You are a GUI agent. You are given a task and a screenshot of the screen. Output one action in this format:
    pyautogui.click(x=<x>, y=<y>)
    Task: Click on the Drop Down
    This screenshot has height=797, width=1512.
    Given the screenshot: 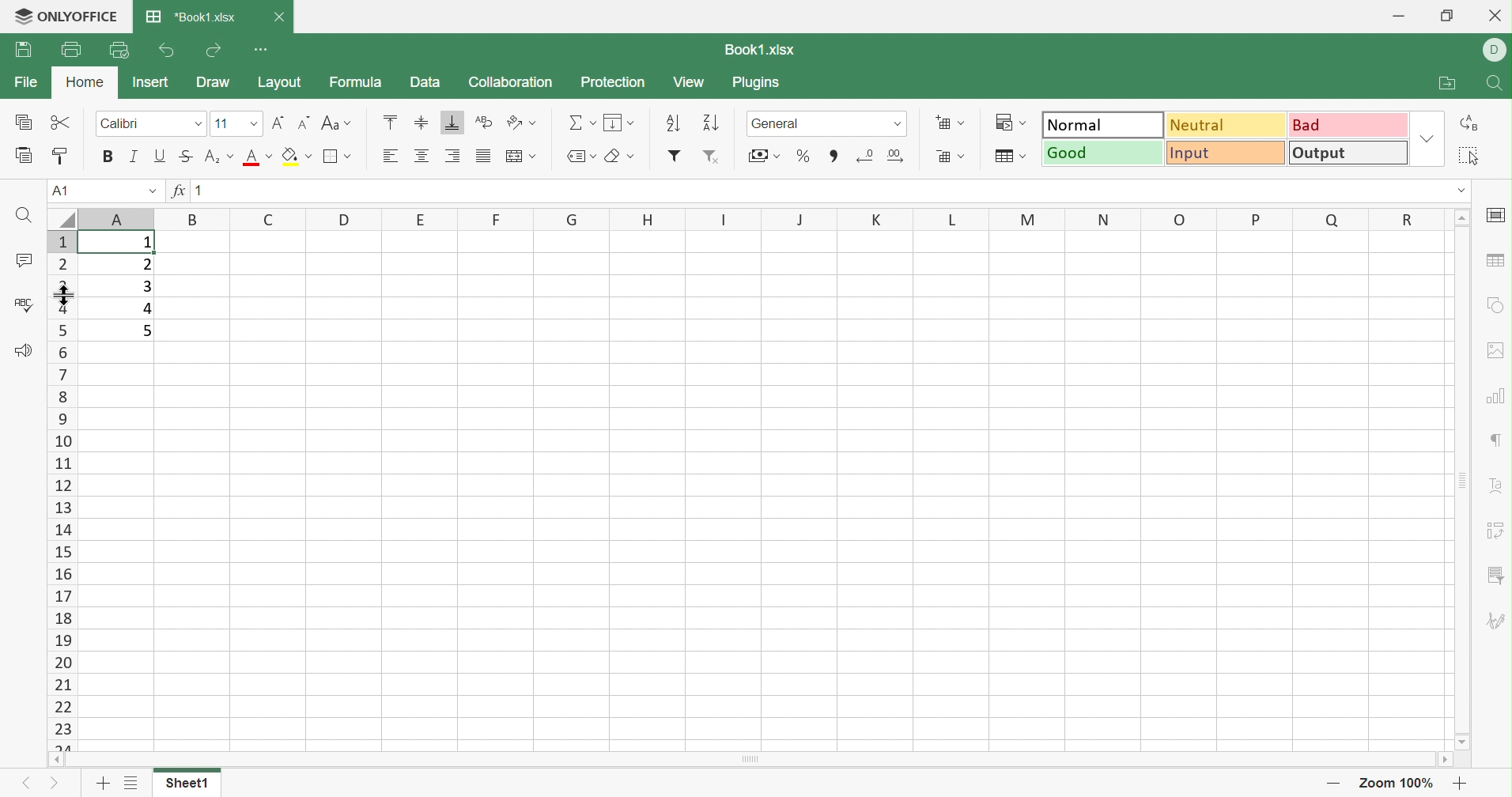 What is the action you would take?
    pyautogui.click(x=595, y=156)
    